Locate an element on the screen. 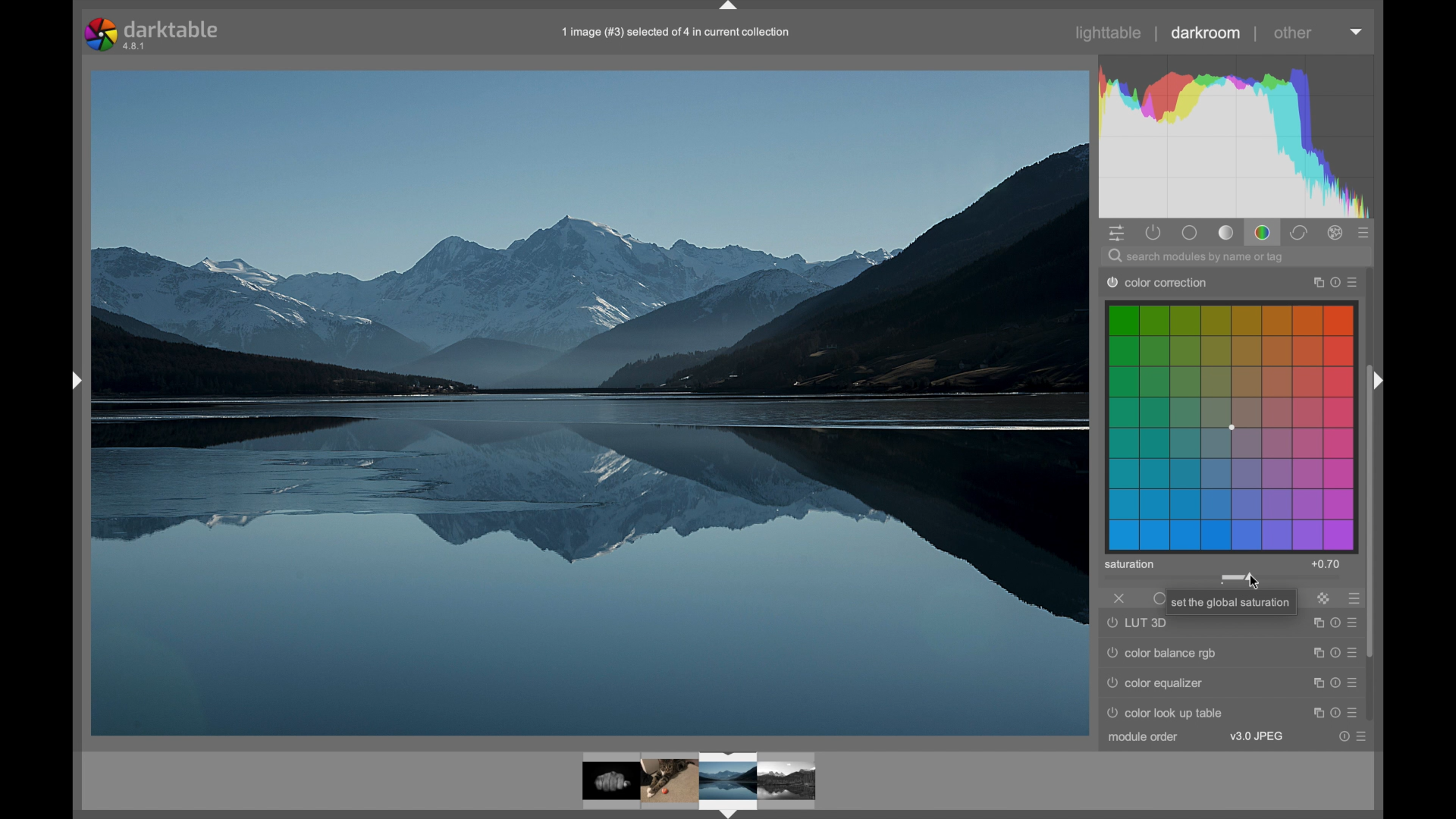 The height and width of the screenshot is (819, 1456). tone is located at coordinates (1227, 232).